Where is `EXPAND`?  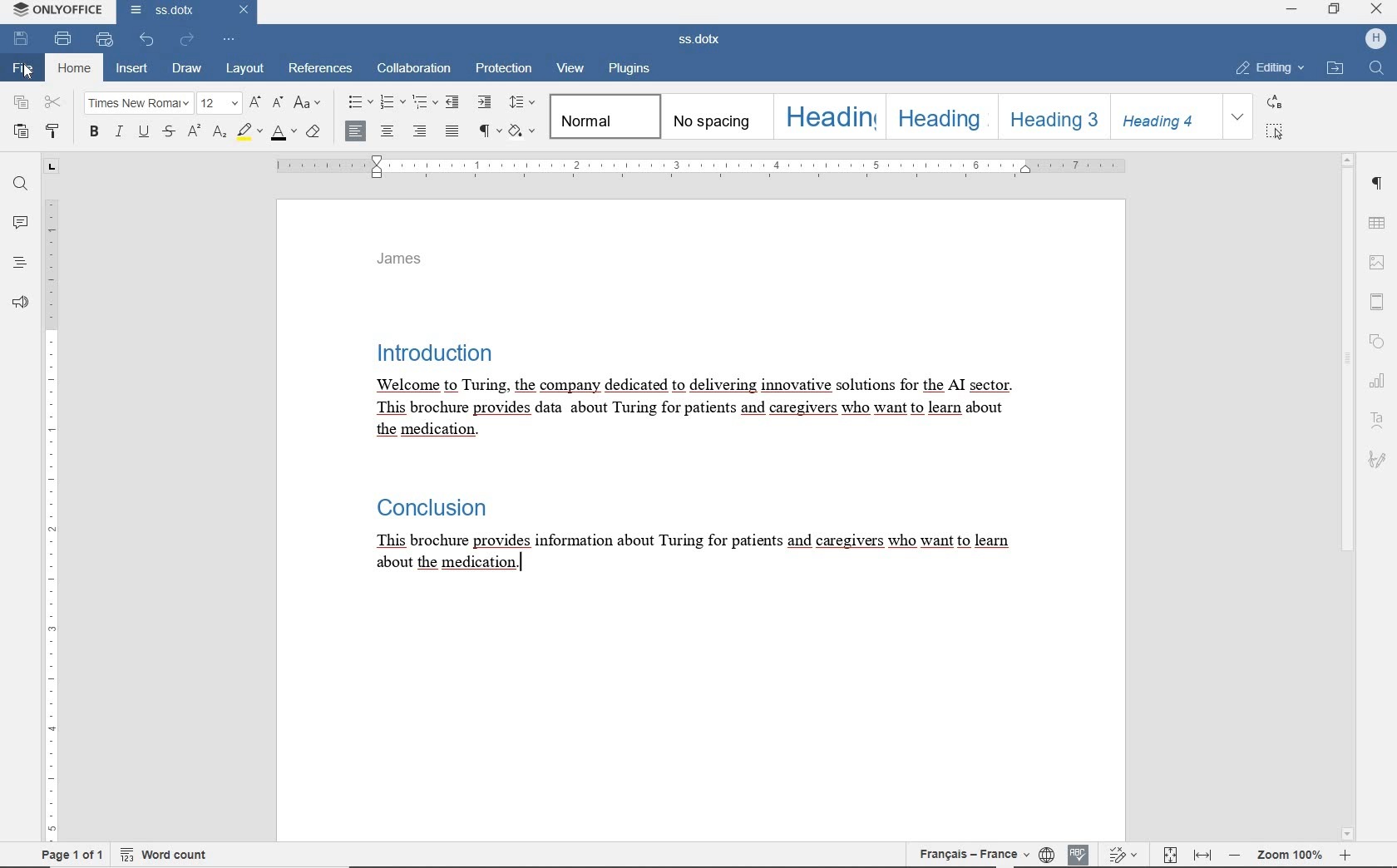 EXPAND is located at coordinates (1239, 118).